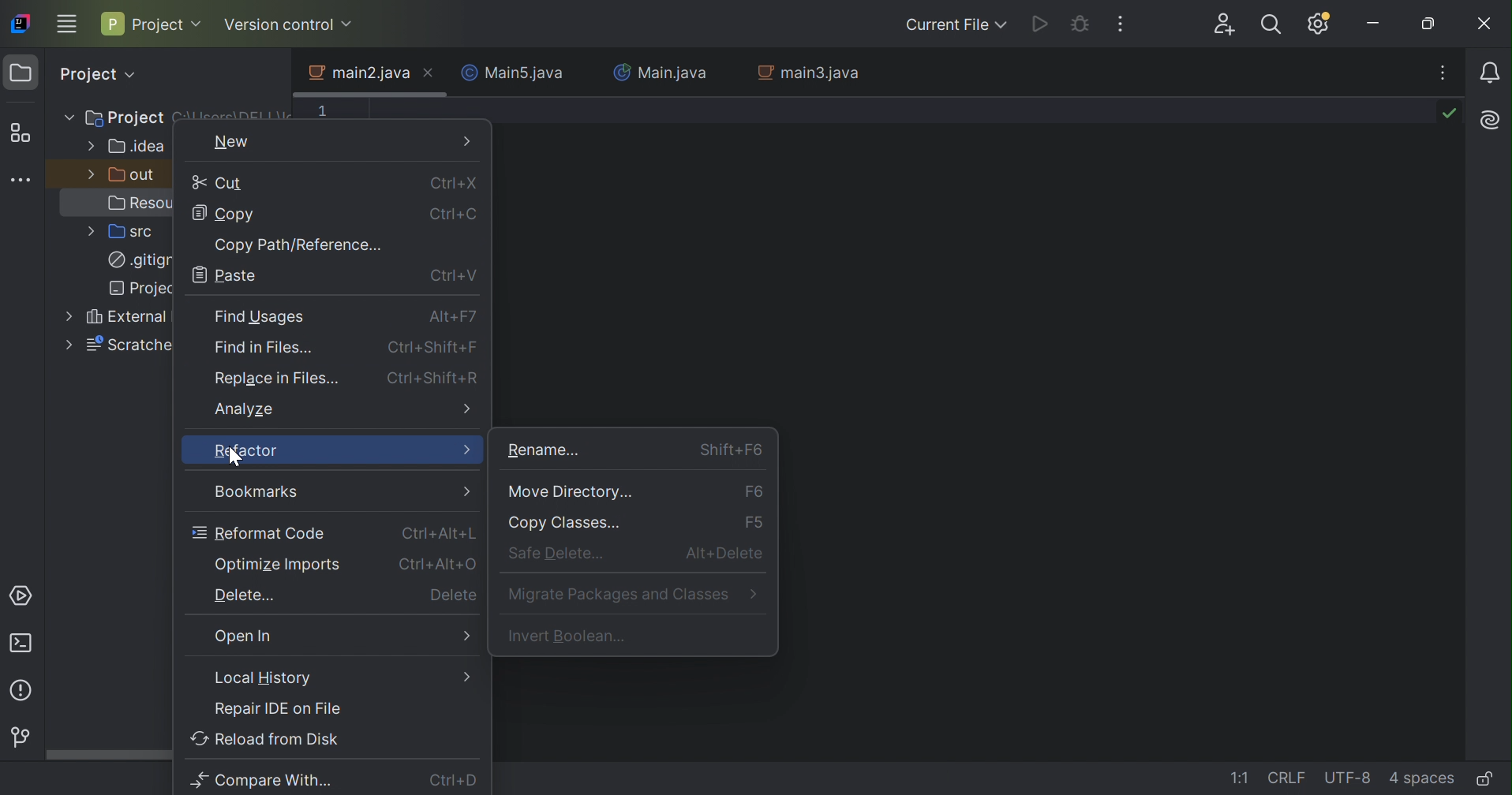 The height and width of the screenshot is (795, 1512). Describe the element at coordinates (451, 318) in the screenshot. I see `Alt+F7` at that location.